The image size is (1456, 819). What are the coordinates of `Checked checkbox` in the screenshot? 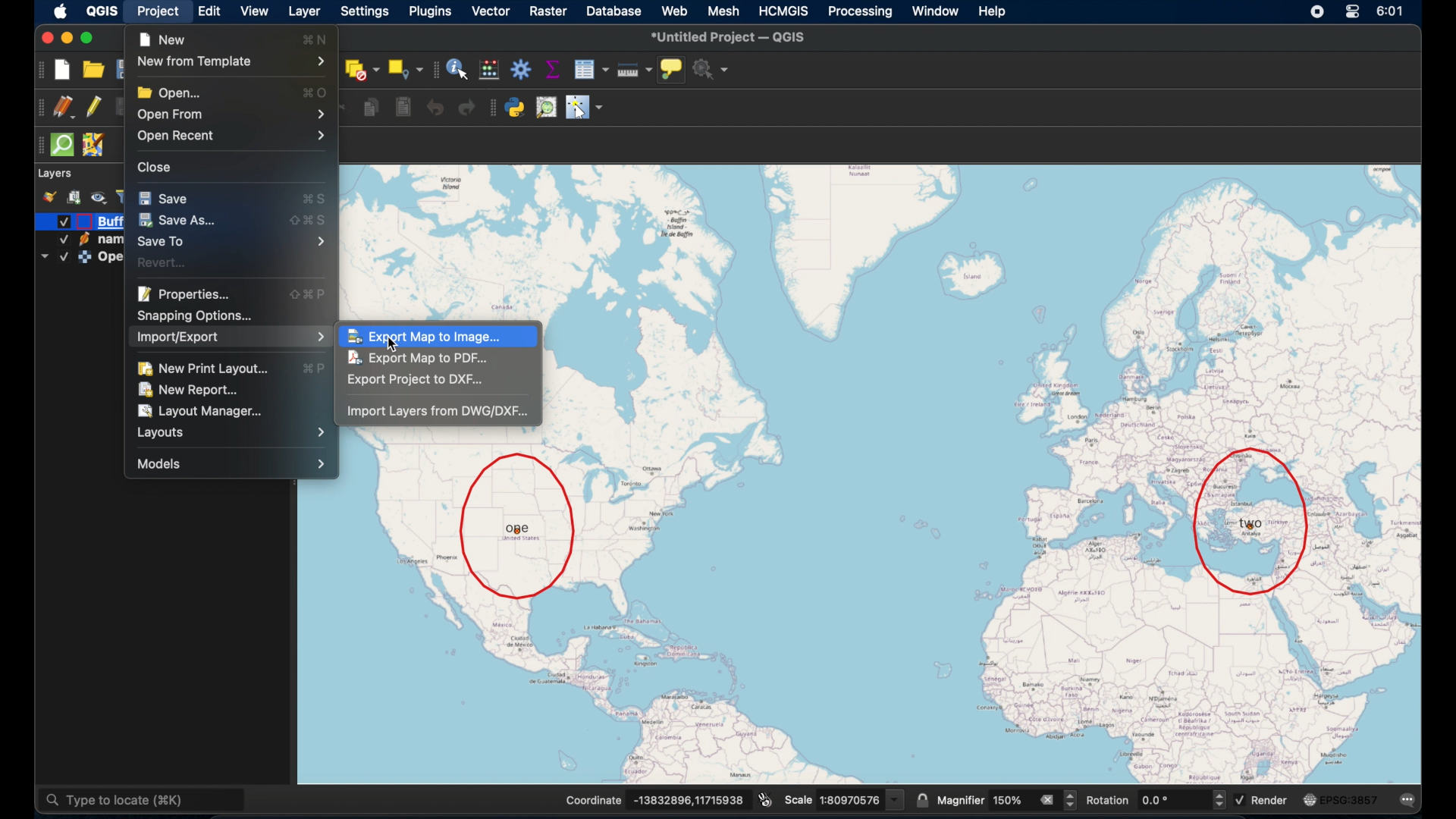 It's located at (61, 240).